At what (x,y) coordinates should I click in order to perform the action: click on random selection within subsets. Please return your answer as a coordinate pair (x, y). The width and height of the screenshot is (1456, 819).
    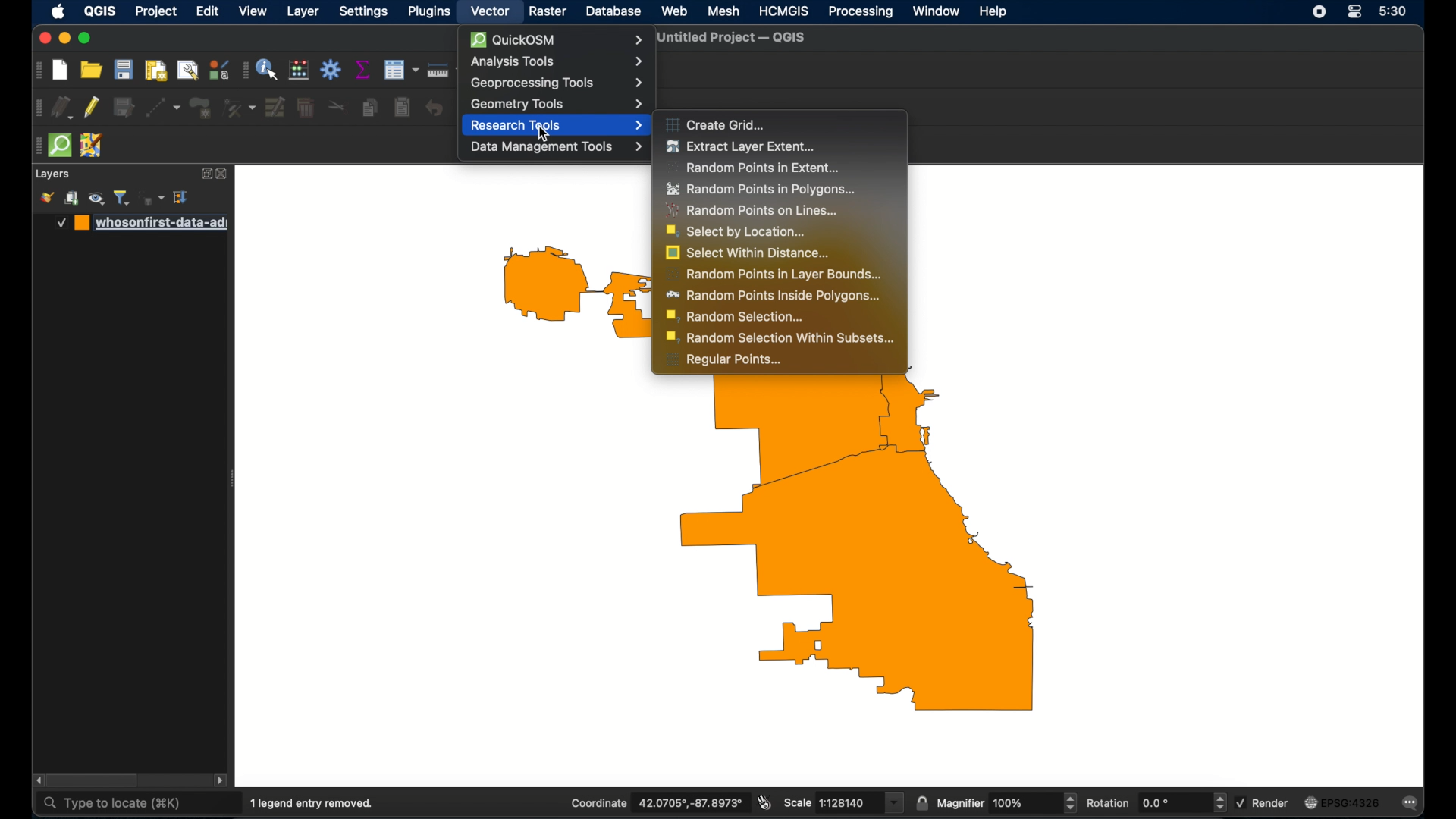
    Looking at the image, I should click on (782, 337).